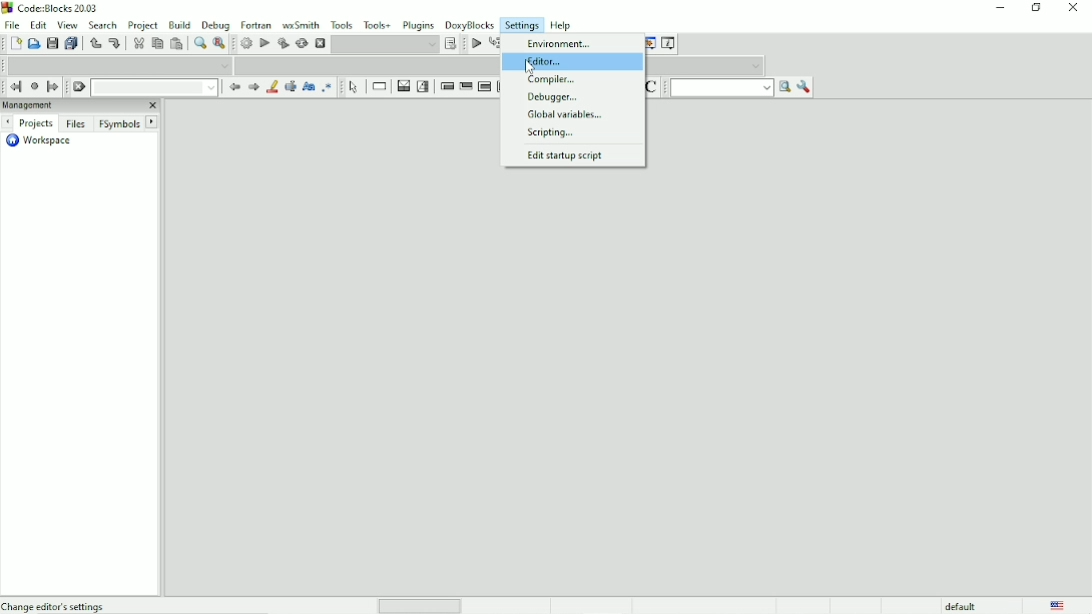  I want to click on Run, so click(263, 44).